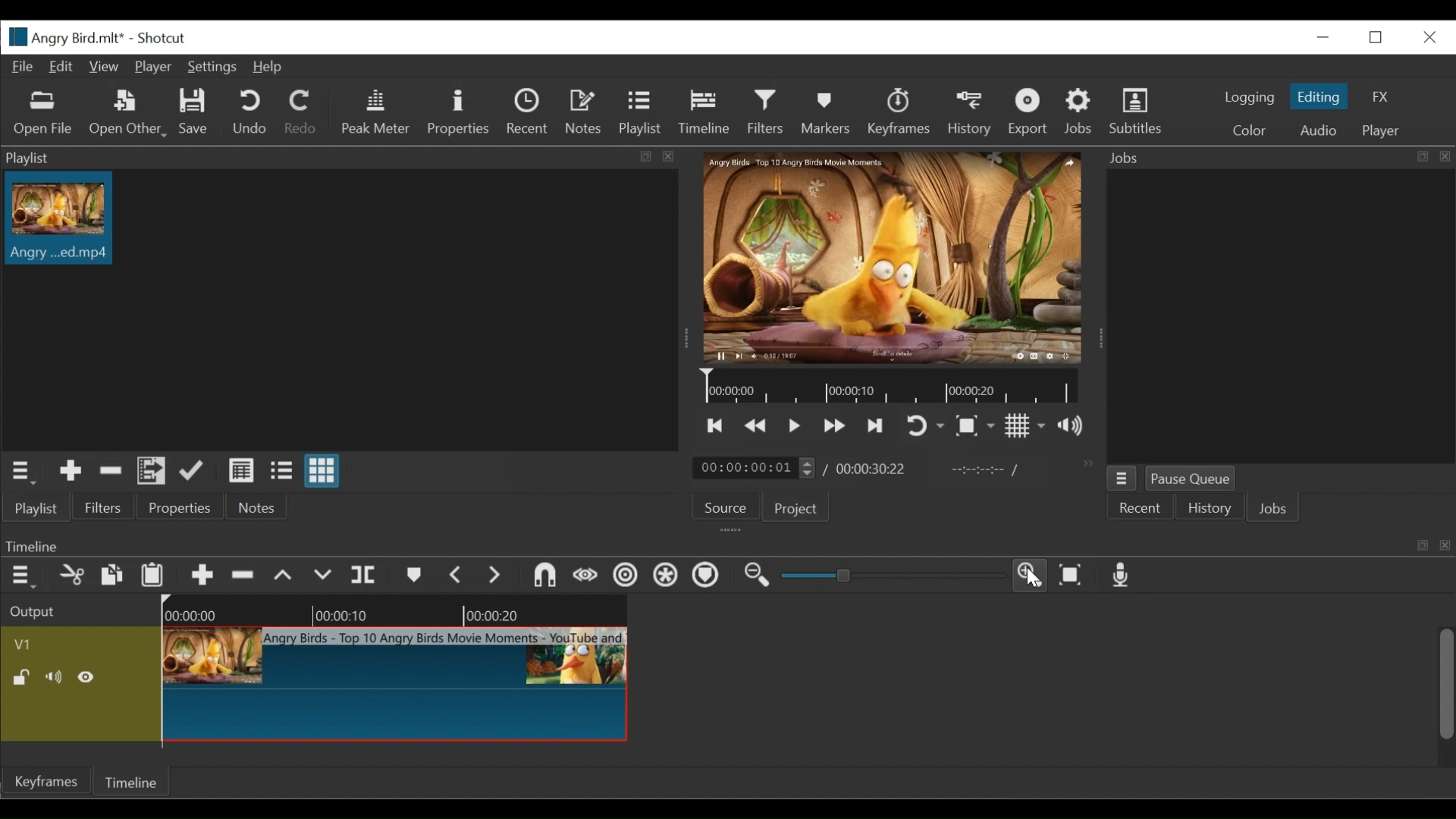 Image resolution: width=1456 pixels, height=819 pixels. I want to click on View as files, so click(284, 472).